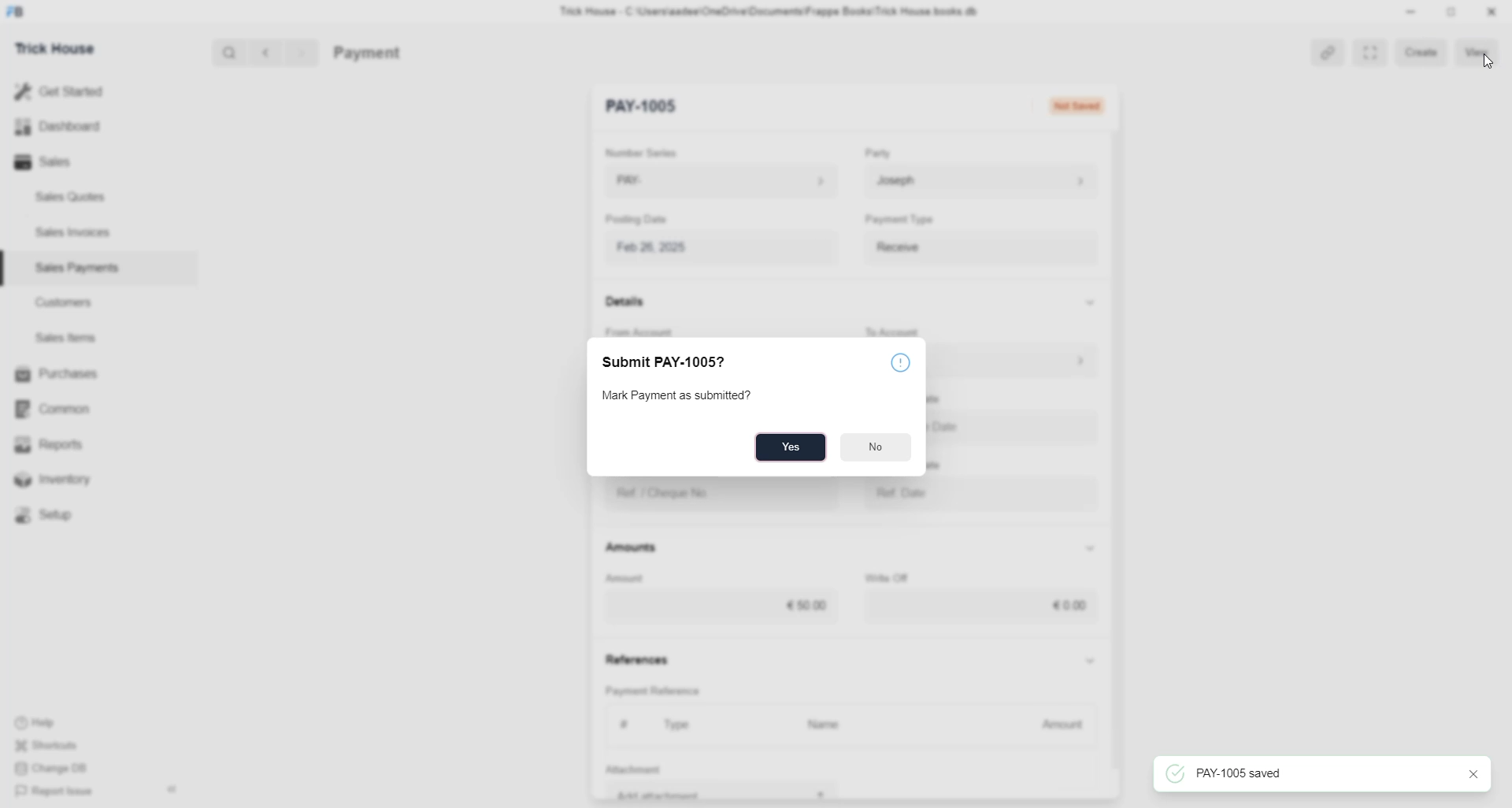  What do you see at coordinates (661, 362) in the screenshot?
I see `Submit PAY-1005?` at bounding box center [661, 362].